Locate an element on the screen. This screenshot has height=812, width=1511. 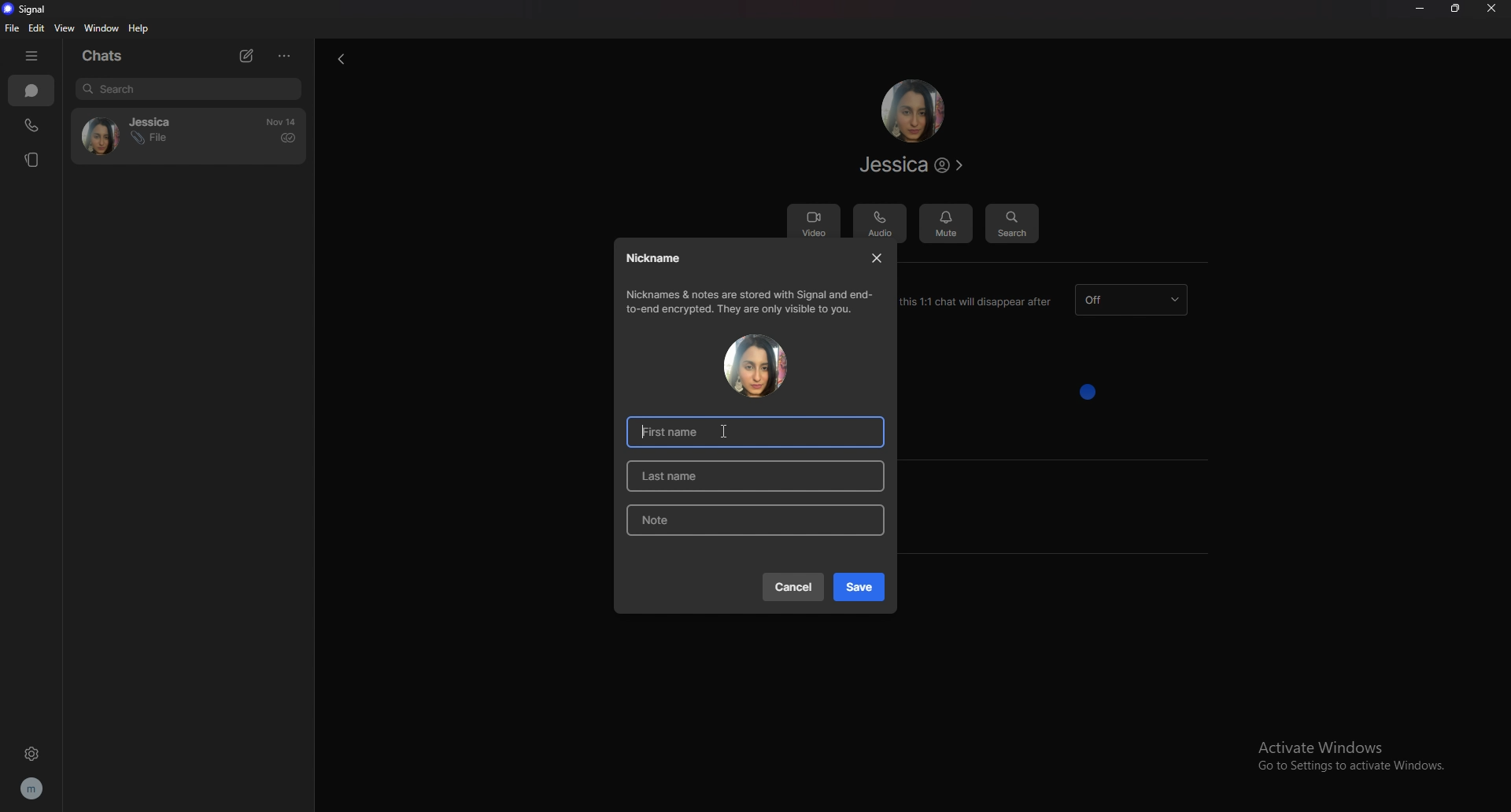
search message is located at coordinates (1012, 224).